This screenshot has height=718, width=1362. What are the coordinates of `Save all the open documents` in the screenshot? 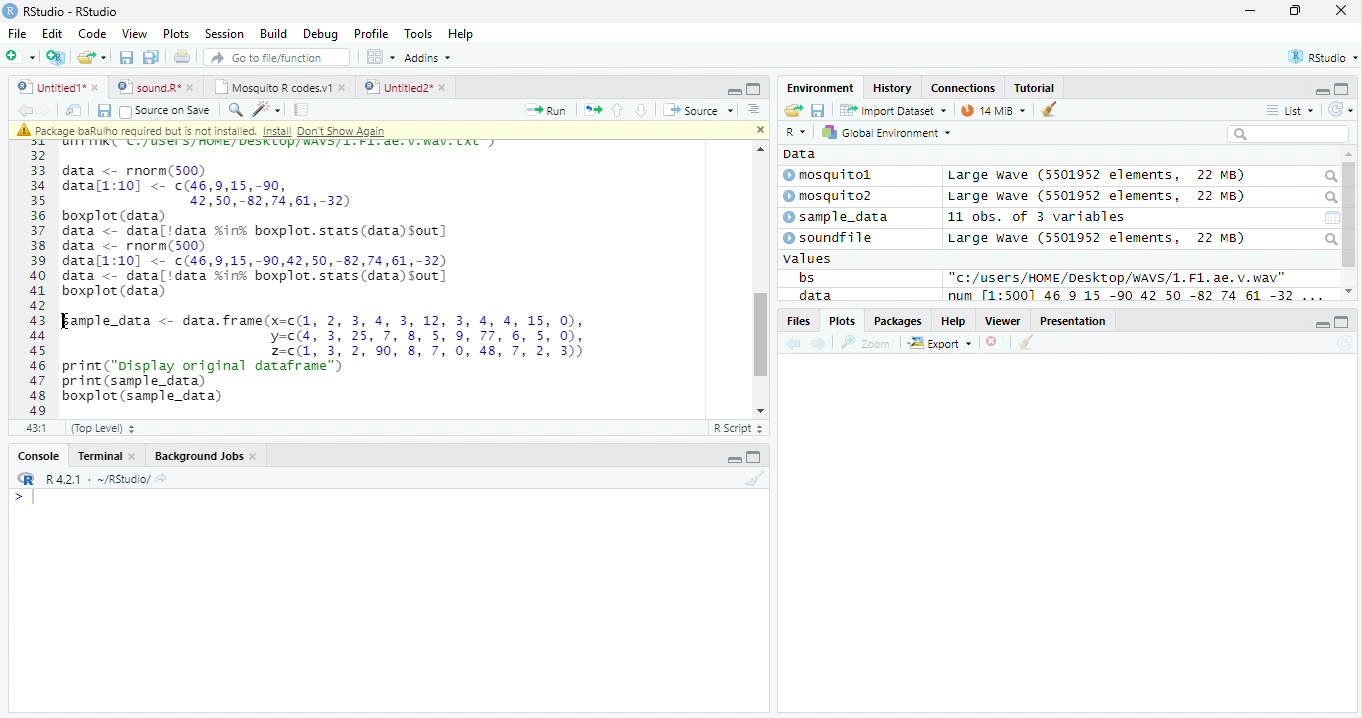 It's located at (151, 58).